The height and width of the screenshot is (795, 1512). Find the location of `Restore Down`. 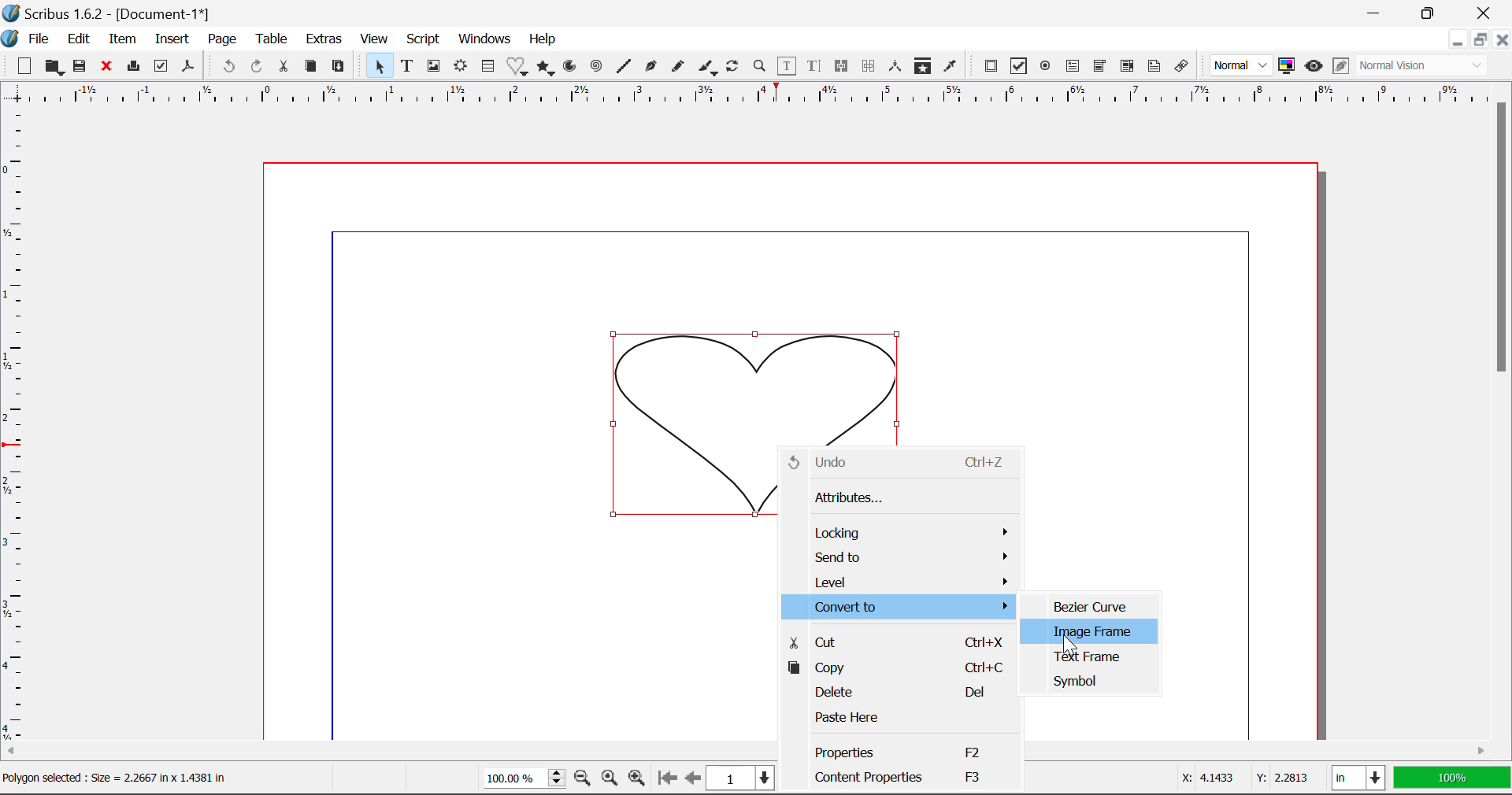

Restore Down is located at coordinates (1378, 12).